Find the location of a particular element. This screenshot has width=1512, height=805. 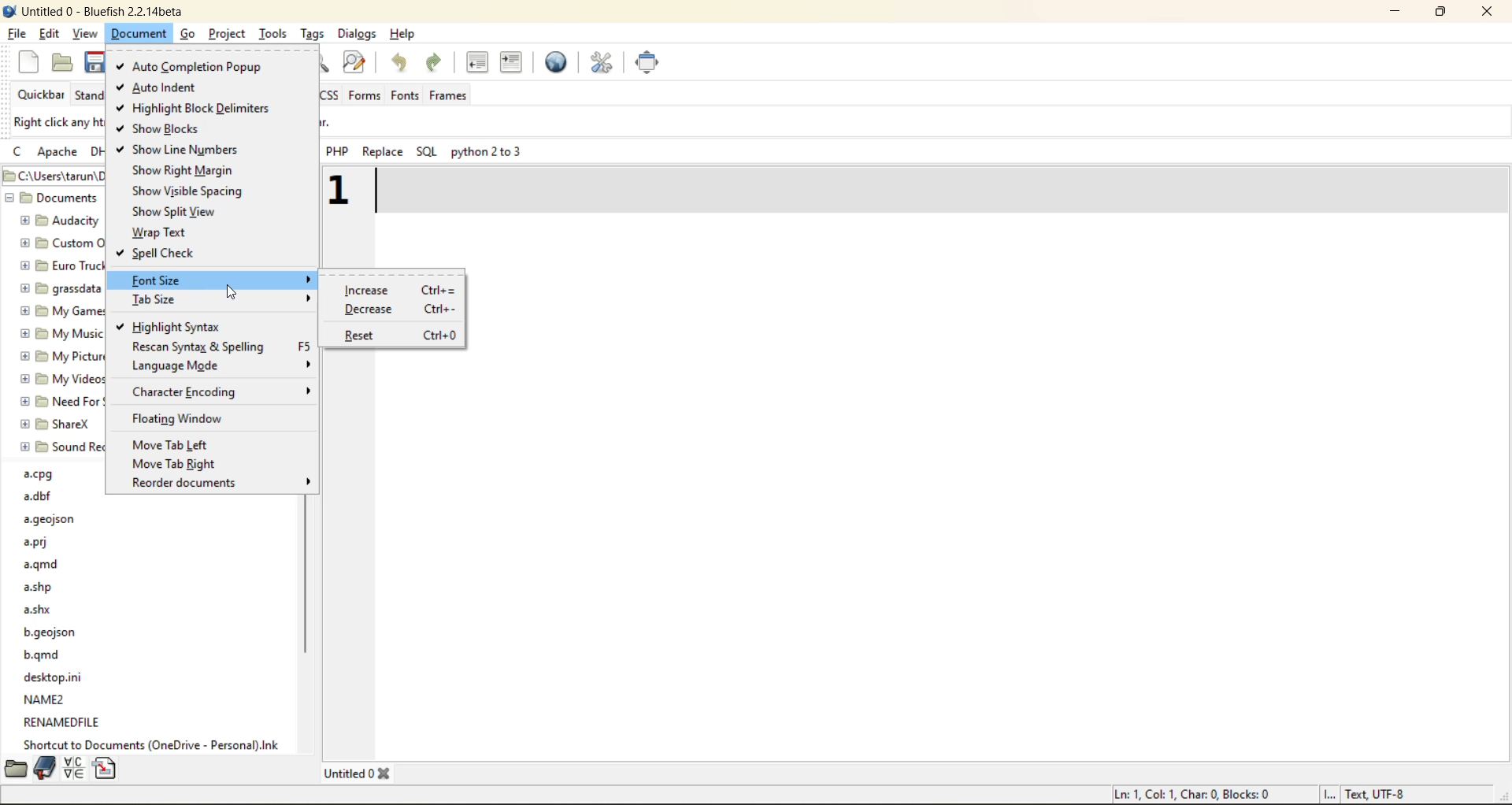

increase is located at coordinates (402, 290).